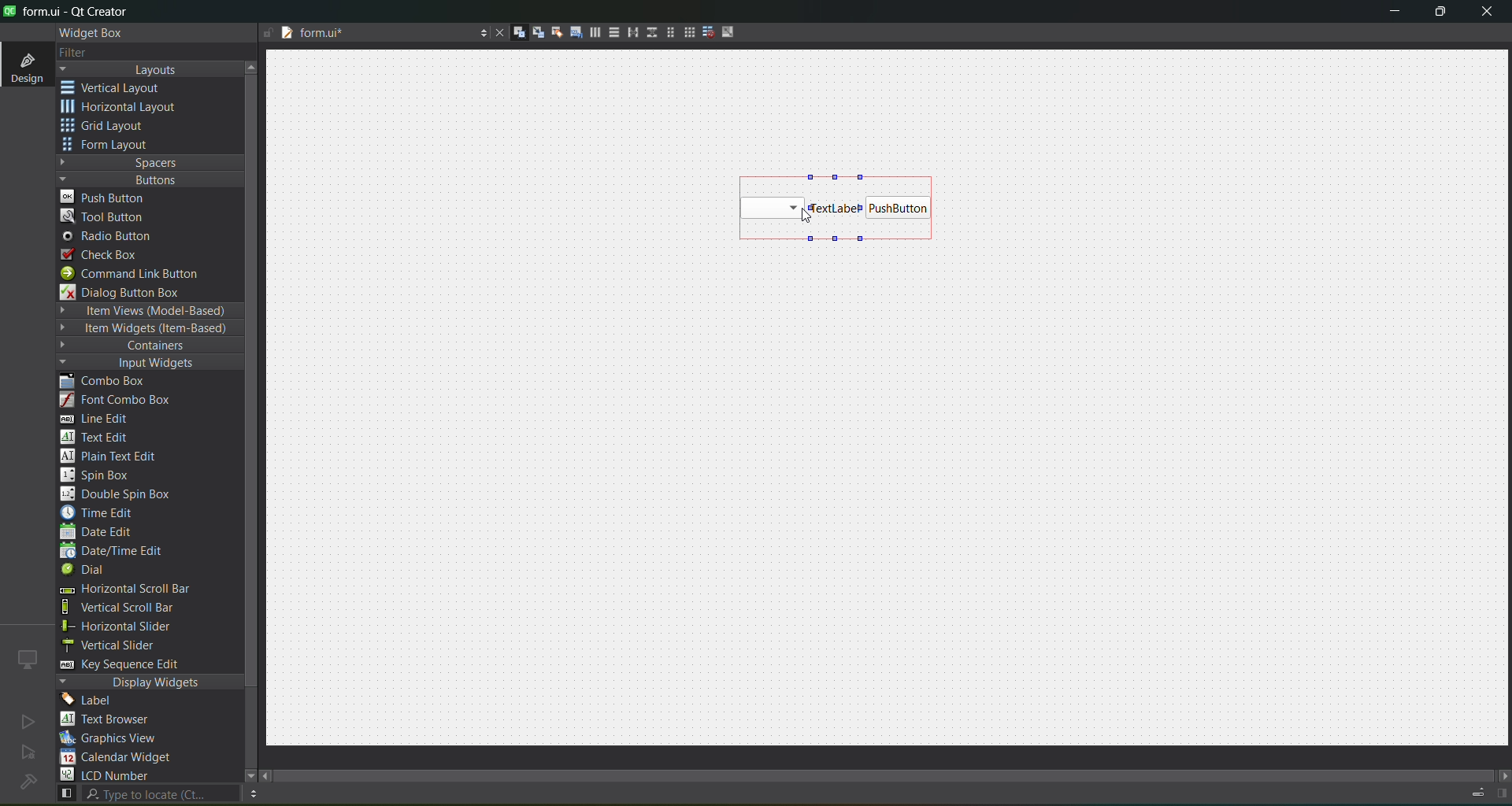 This screenshot has width=1512, height=806. I want to click on layout in a grid, so click(684, 32).